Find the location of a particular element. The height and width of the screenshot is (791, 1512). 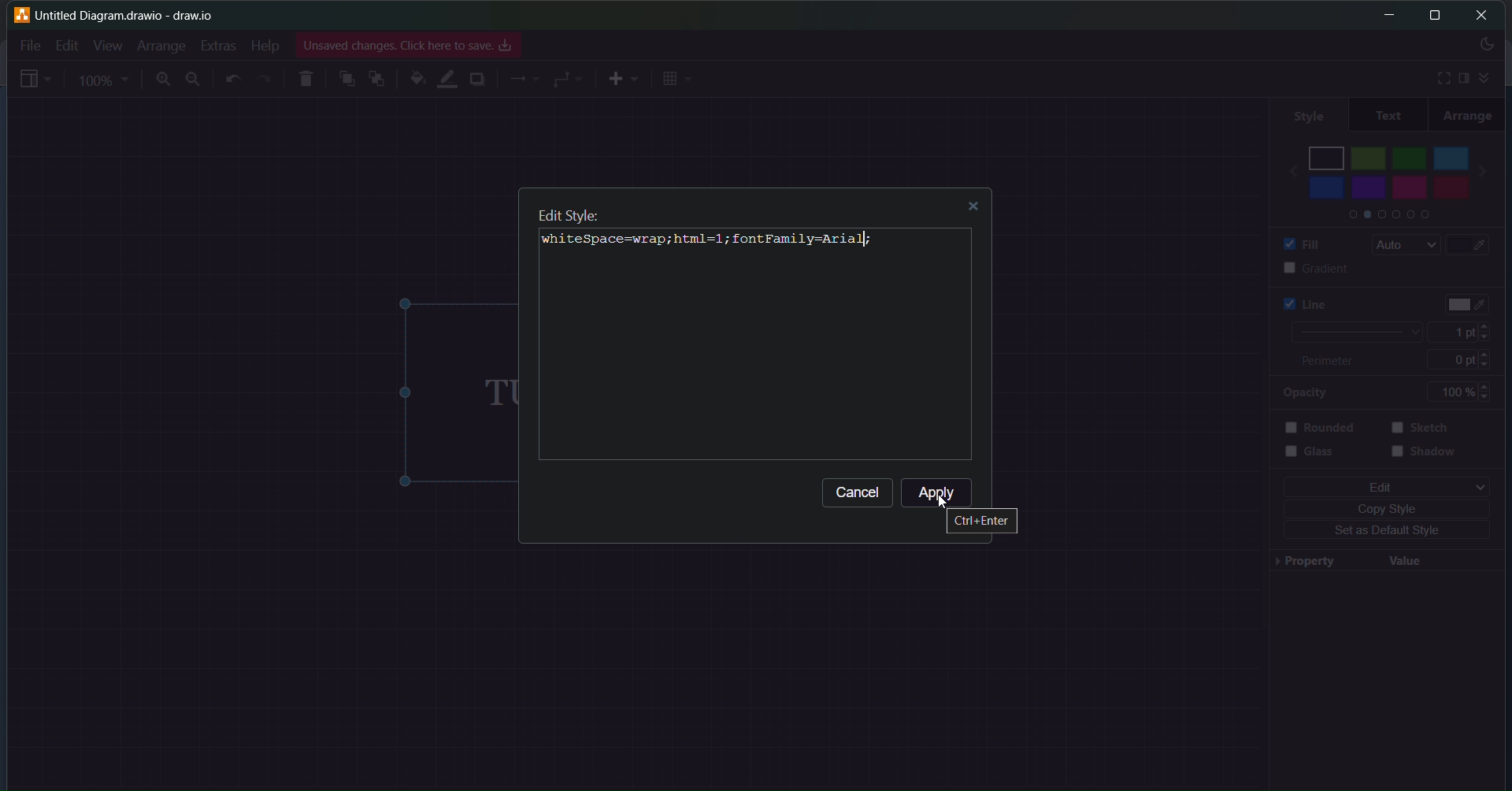

add is located at coordinates (622, 79).